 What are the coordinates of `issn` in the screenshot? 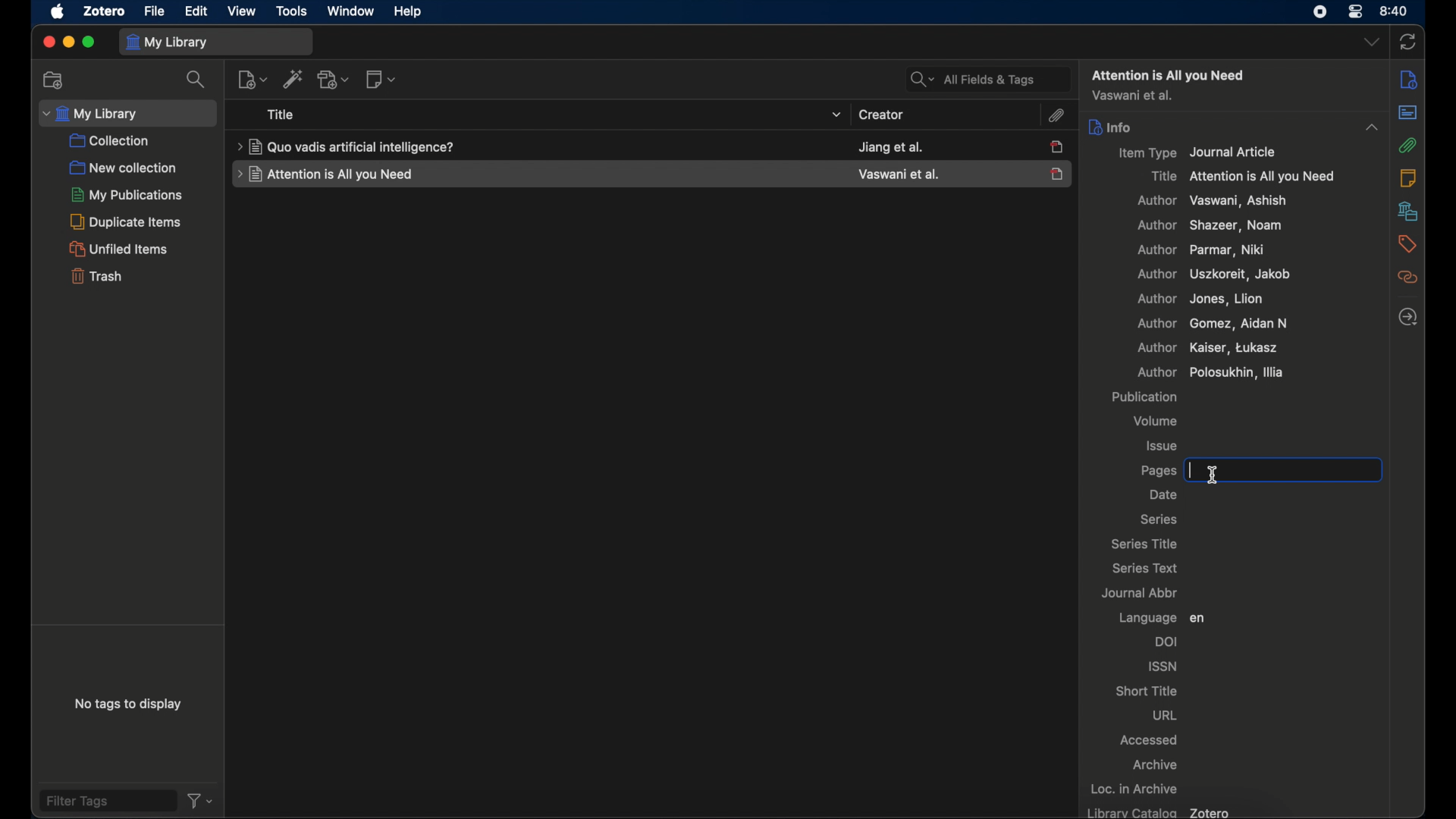 It's located at (1162, 665).